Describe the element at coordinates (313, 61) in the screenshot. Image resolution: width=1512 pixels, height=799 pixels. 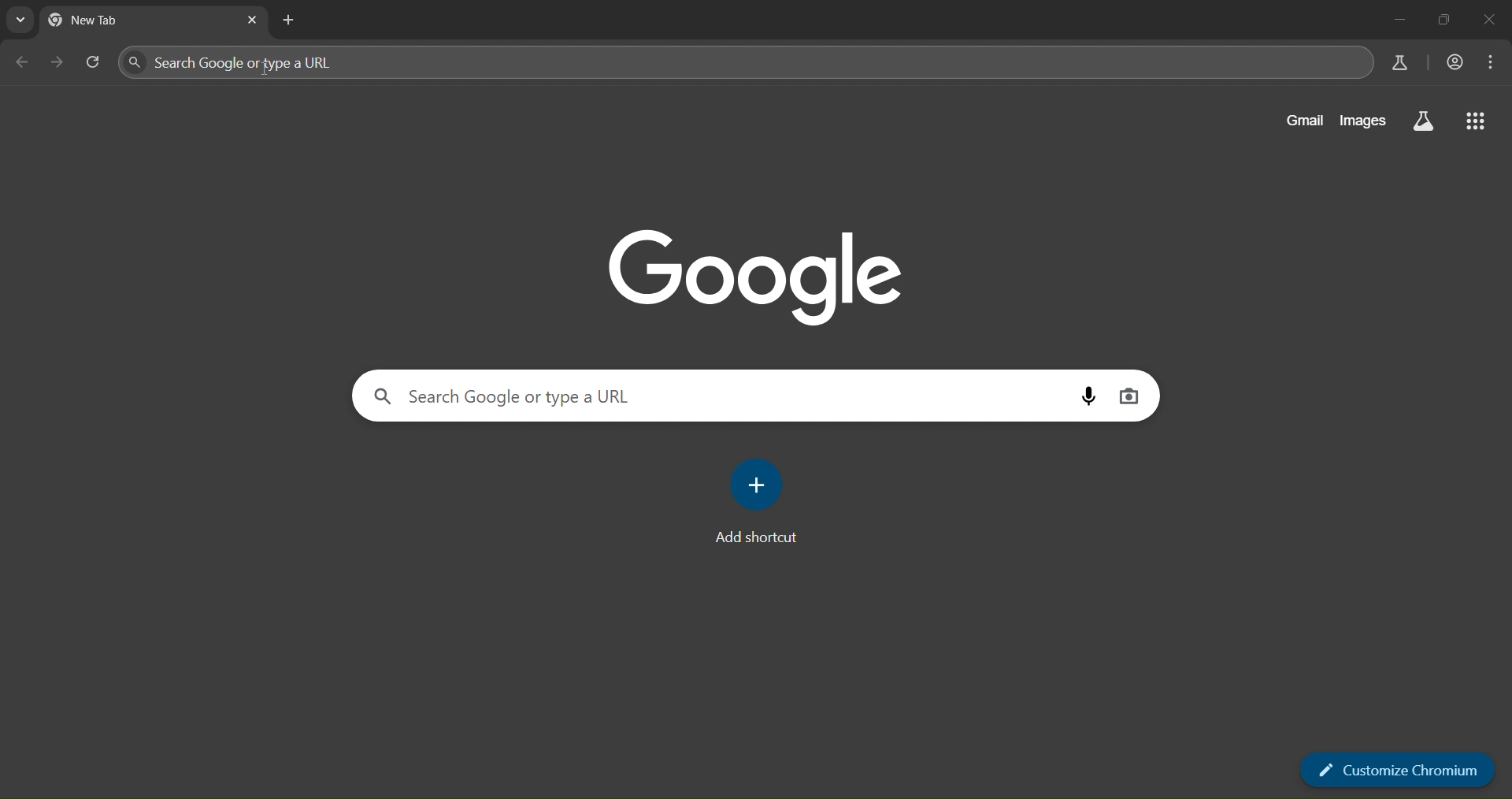
I see `search panel` at that location.